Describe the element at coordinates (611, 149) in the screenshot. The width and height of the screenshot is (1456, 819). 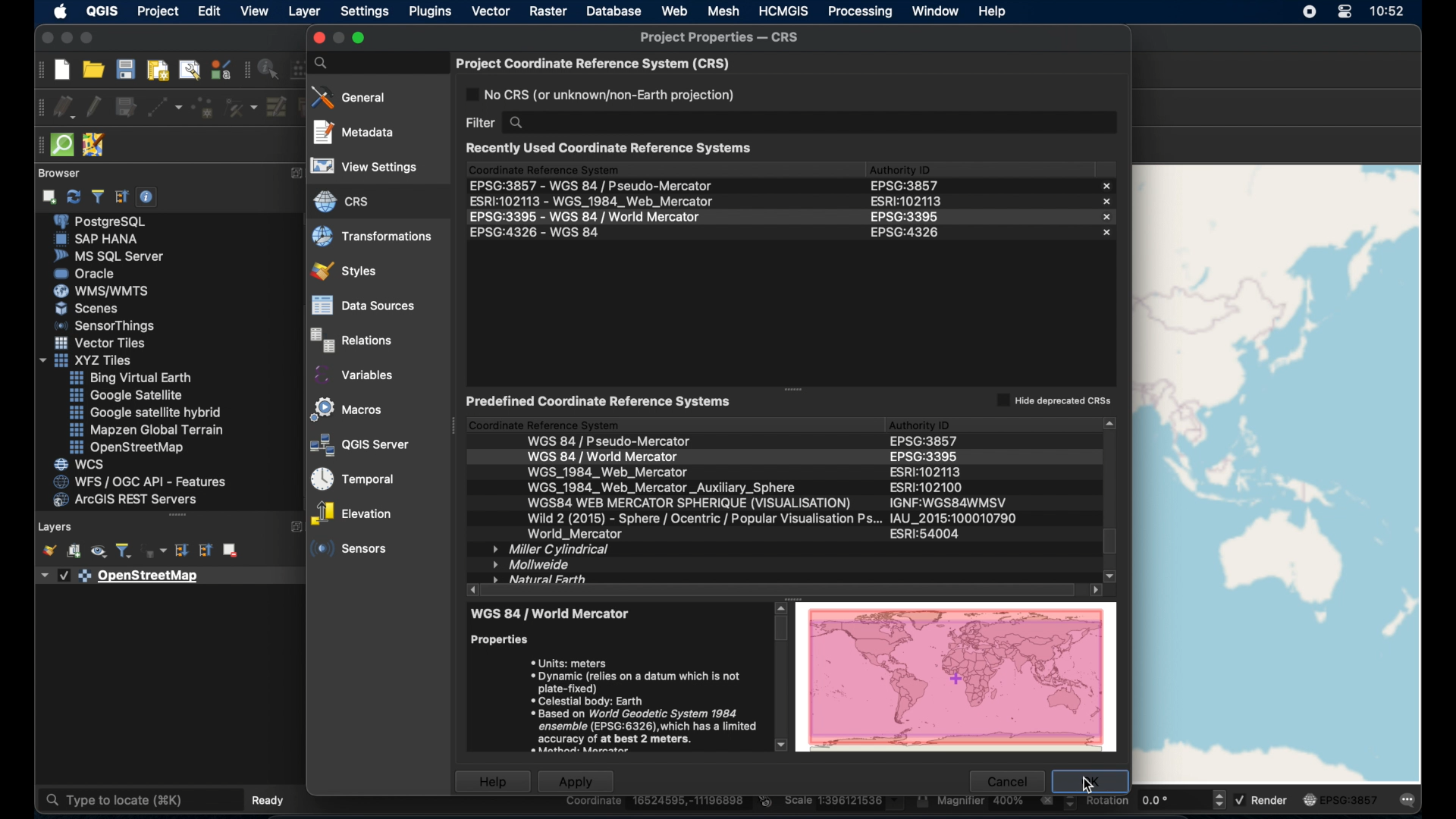
I see `recently used coordinate reference systems` at that location.